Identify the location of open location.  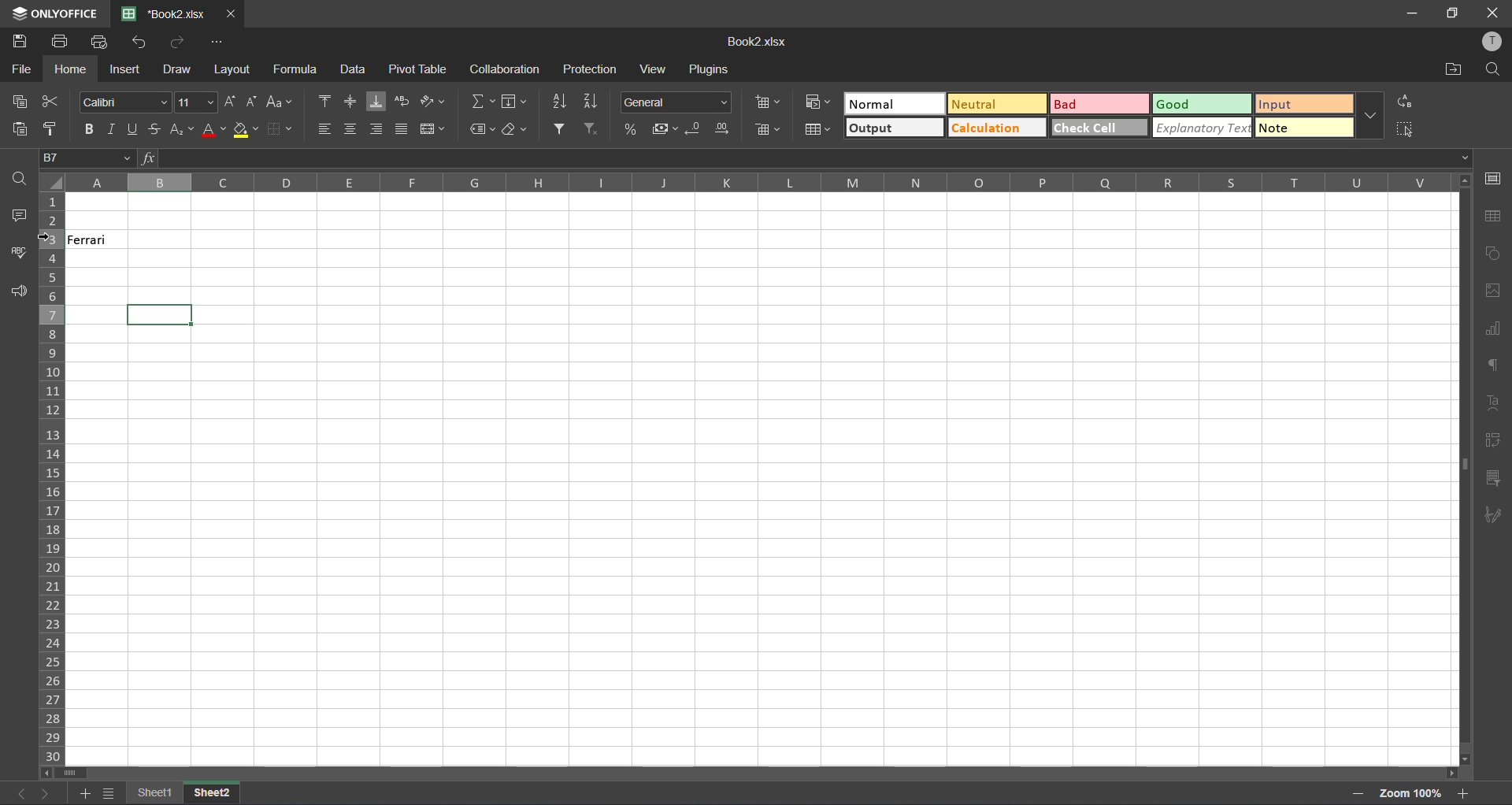
(1453, 69).